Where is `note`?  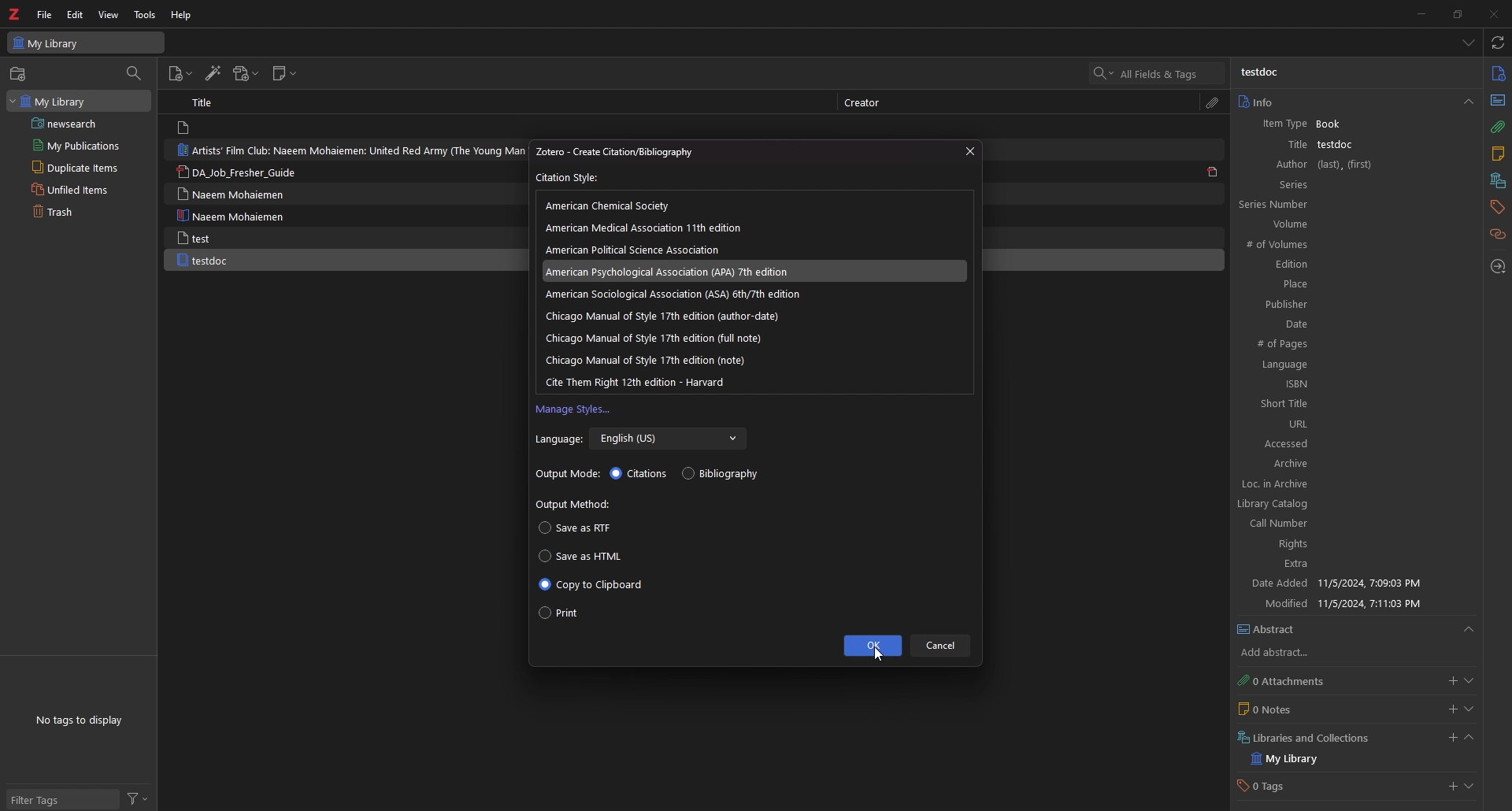
note is located at coordinates (1497, 156).